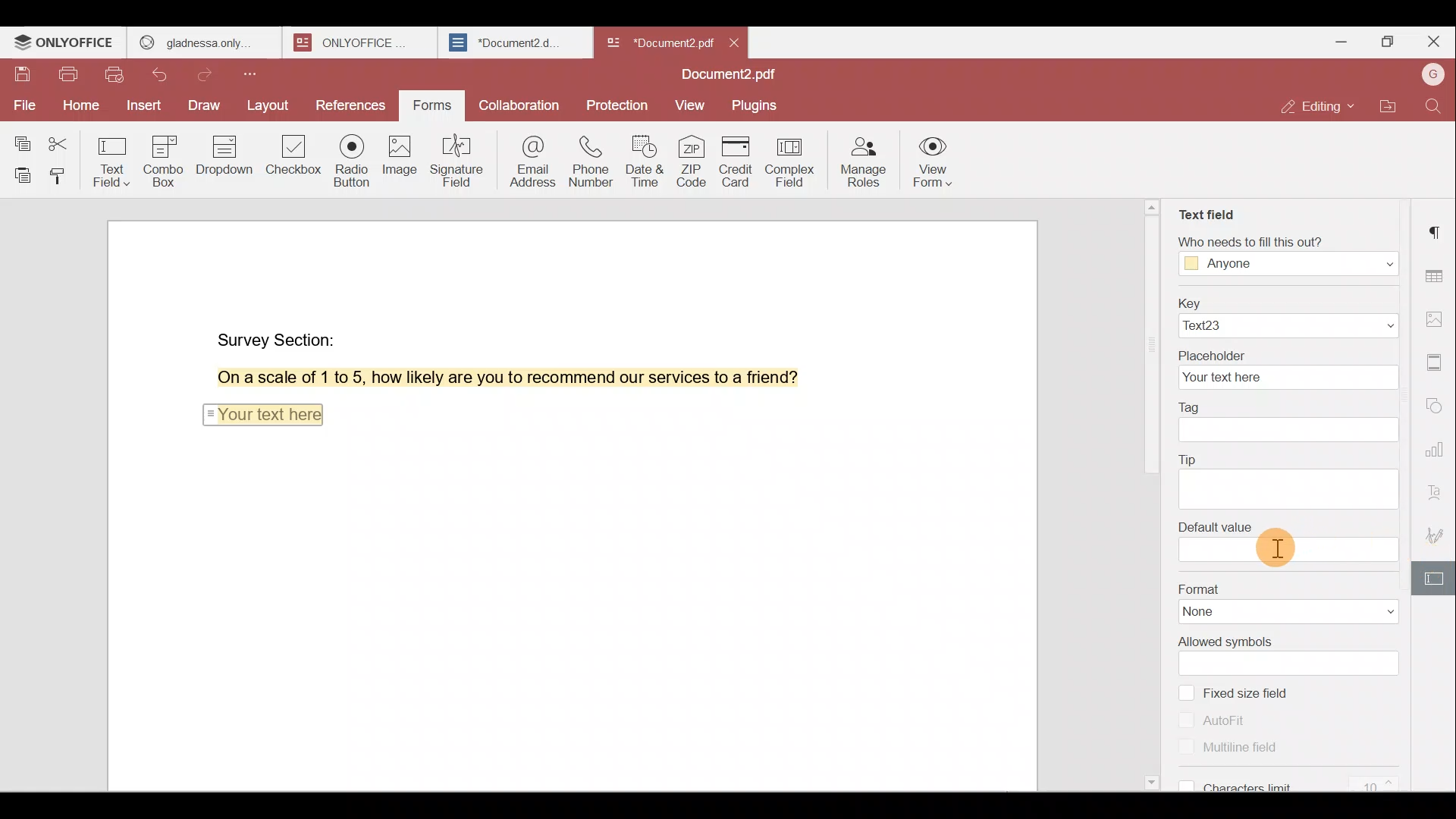  I want to click on Table settings, so click(1436, 272).